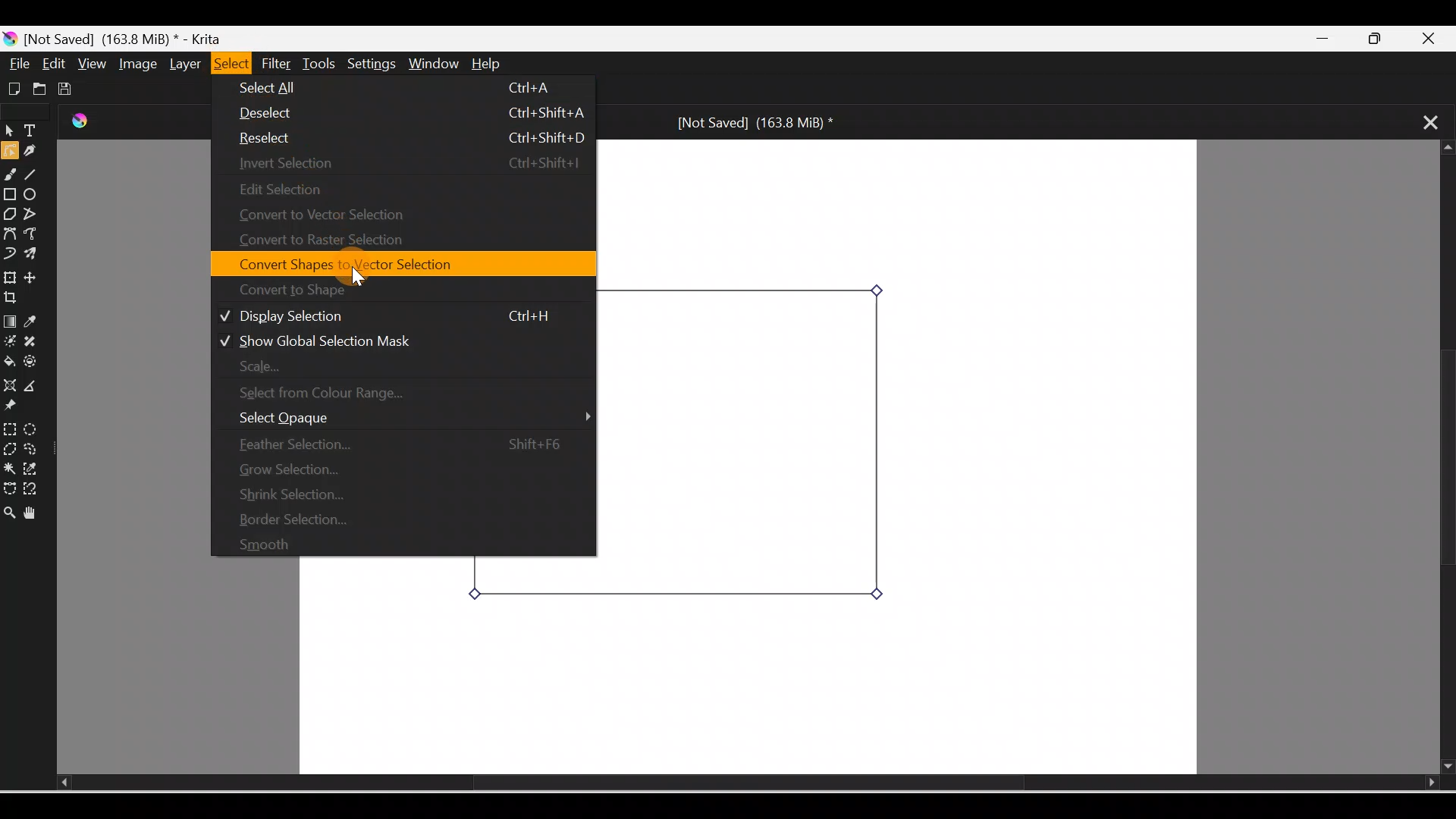  I want to click on View, so click(89, 63).